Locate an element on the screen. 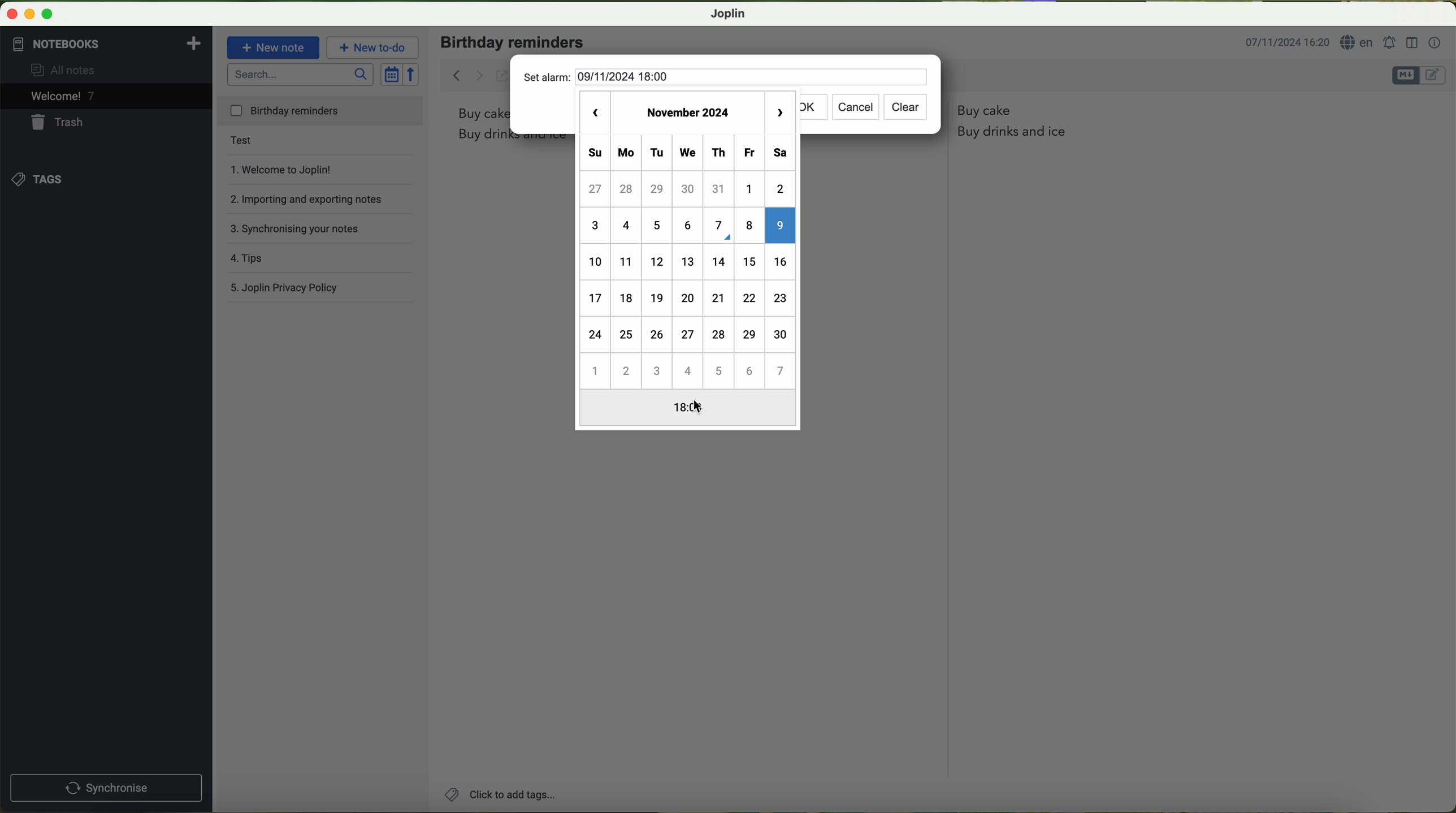  reverse sort order is located at coordinates (412, 73).